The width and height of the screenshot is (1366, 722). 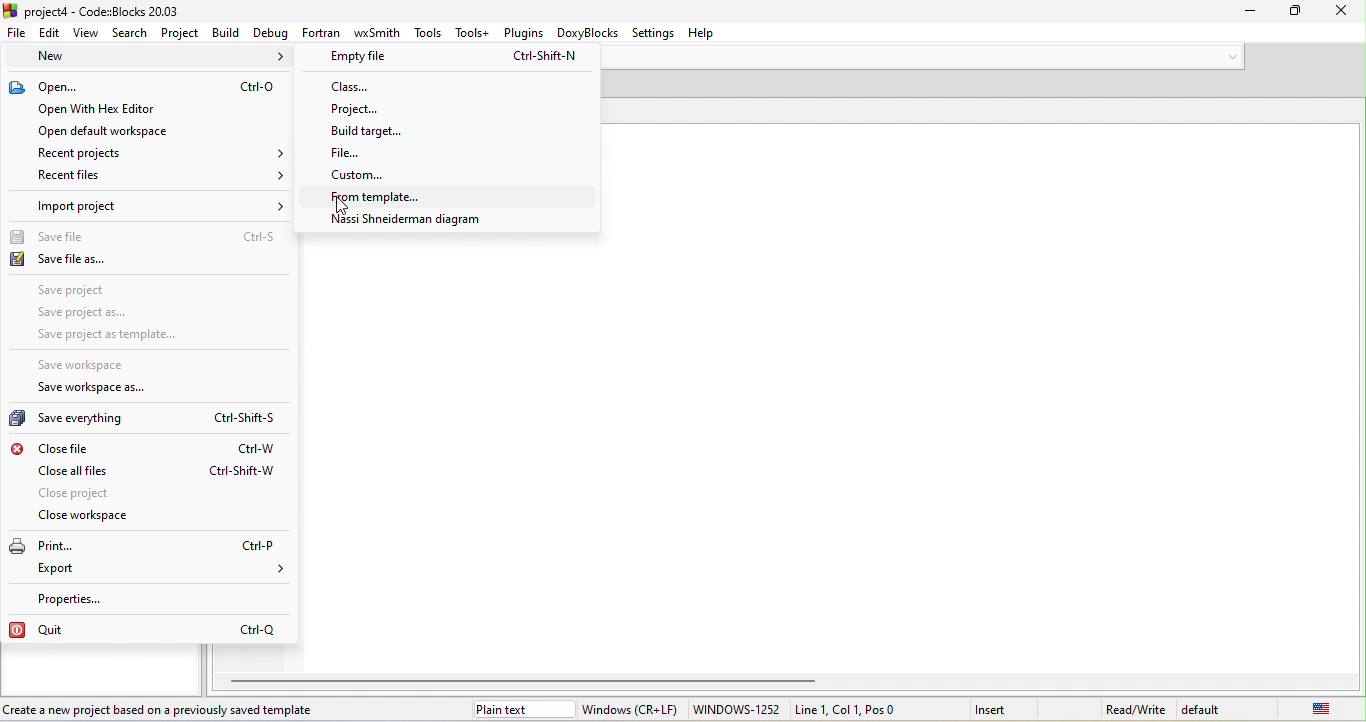 What do you see at coordinates (155, 472) in the screenshot?
I see `close all files` at bounding box center [155, 472].